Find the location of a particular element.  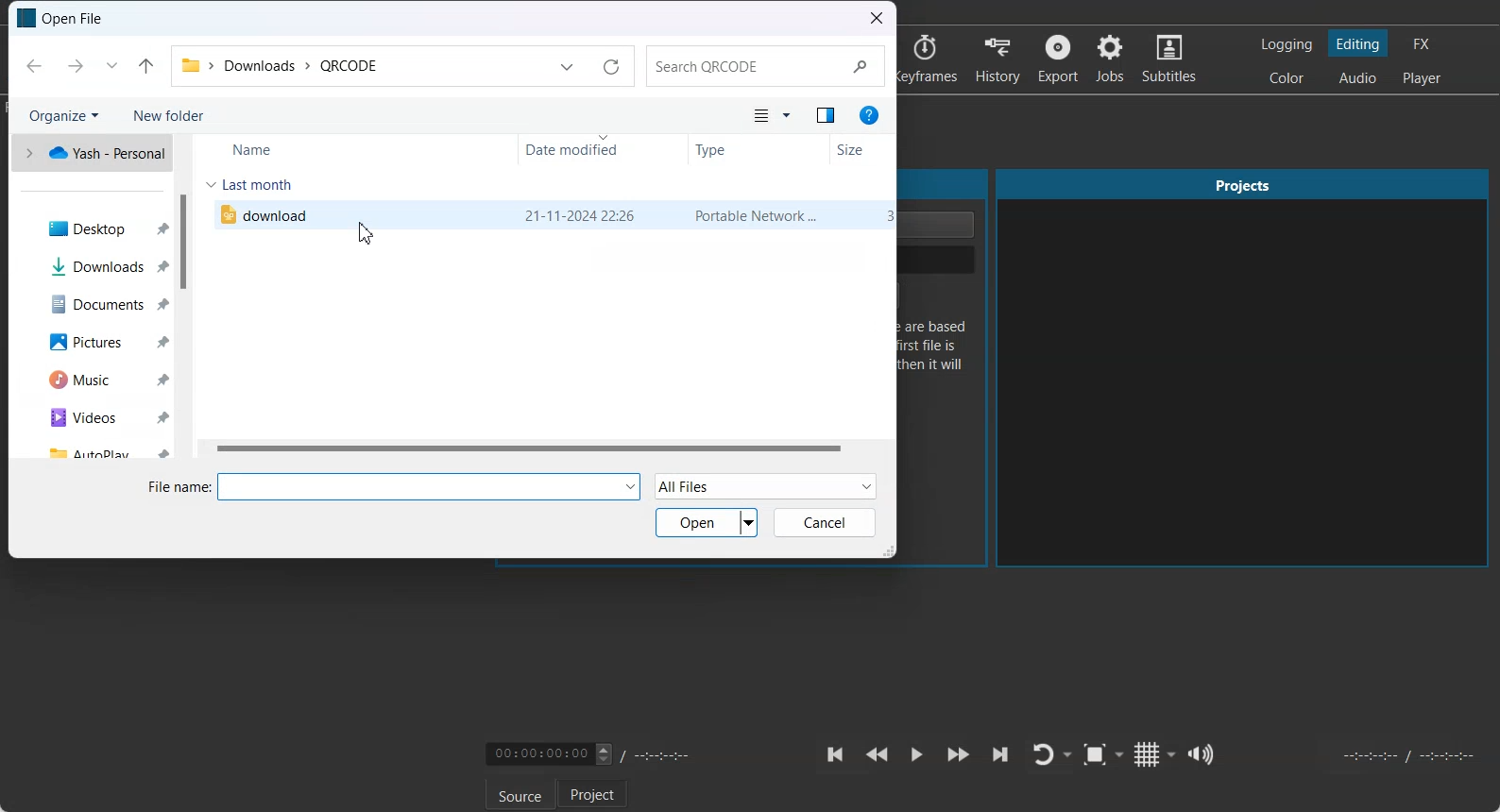

Drop down box is located at coordinates (1123, 753).